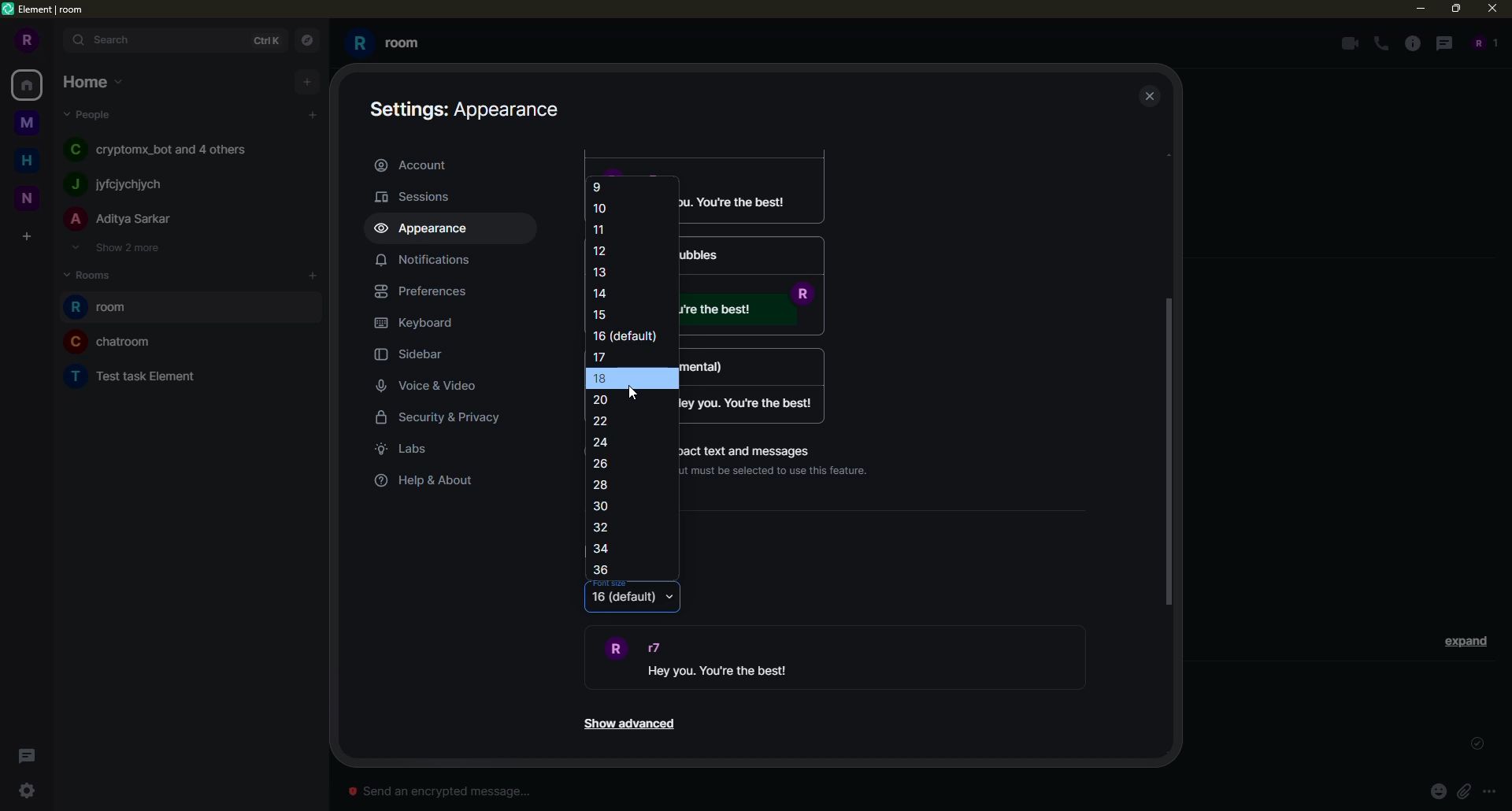 The width and height of the screenshot is (1512, 811). Describe the element at coordinates (163, 148) in the screenshot. I see `people` at that location.